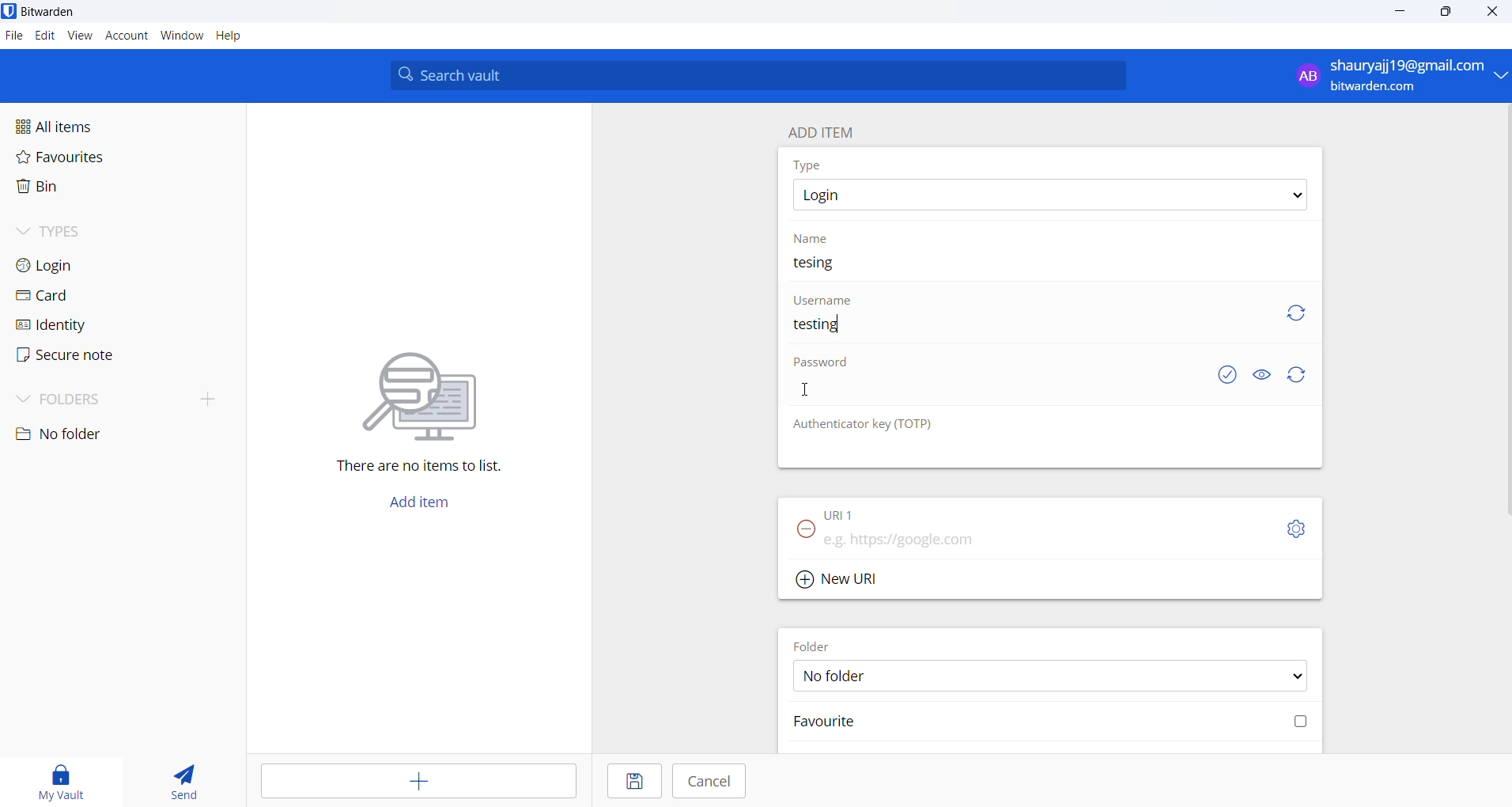 This screenshot has height=807, width=1512. I want to click on help, so click(239, 36).